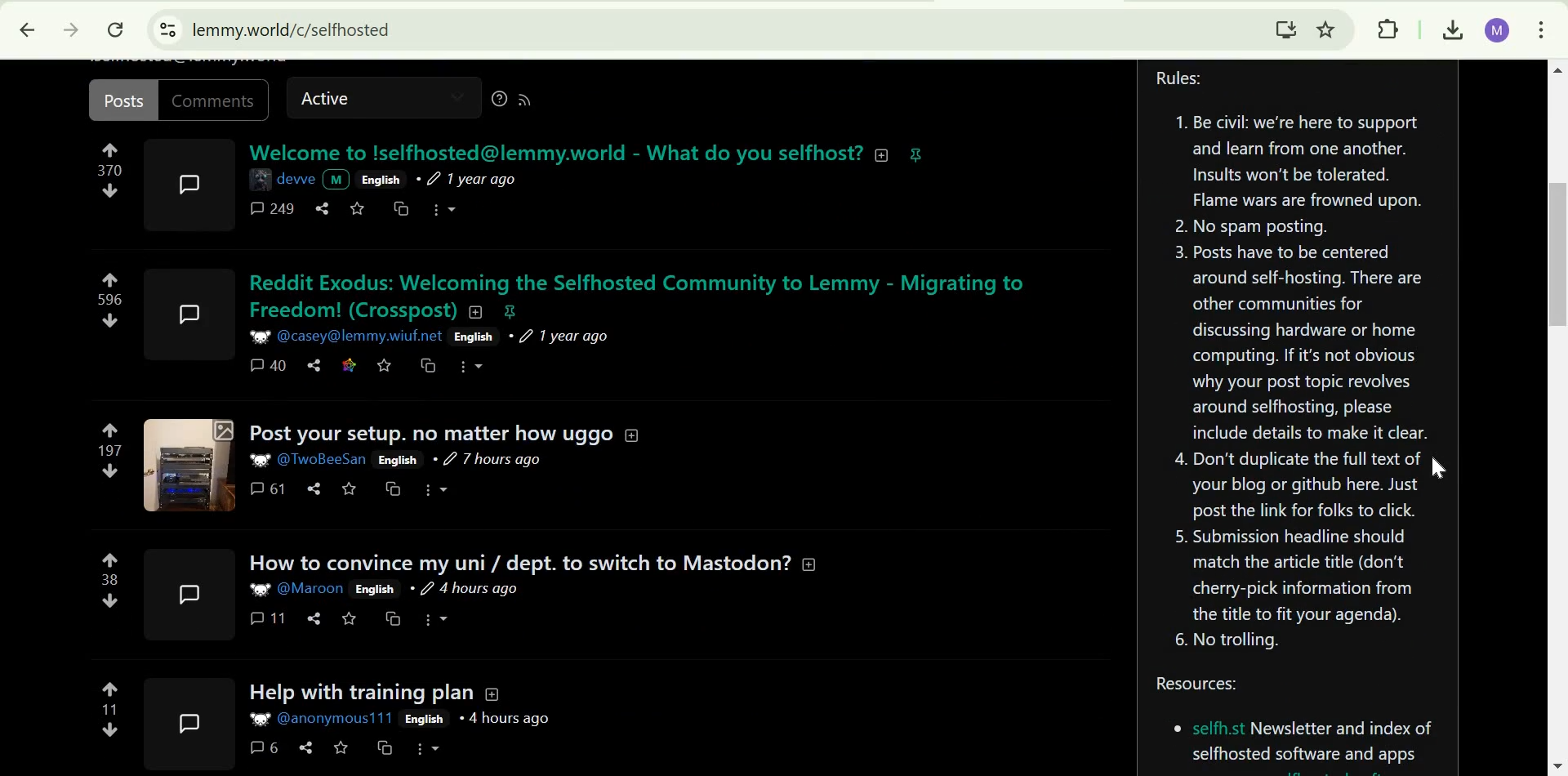  What do you see at coordinates (189, 463) in the screenshot?
I see `expand here` at bounding box center [189, 463].